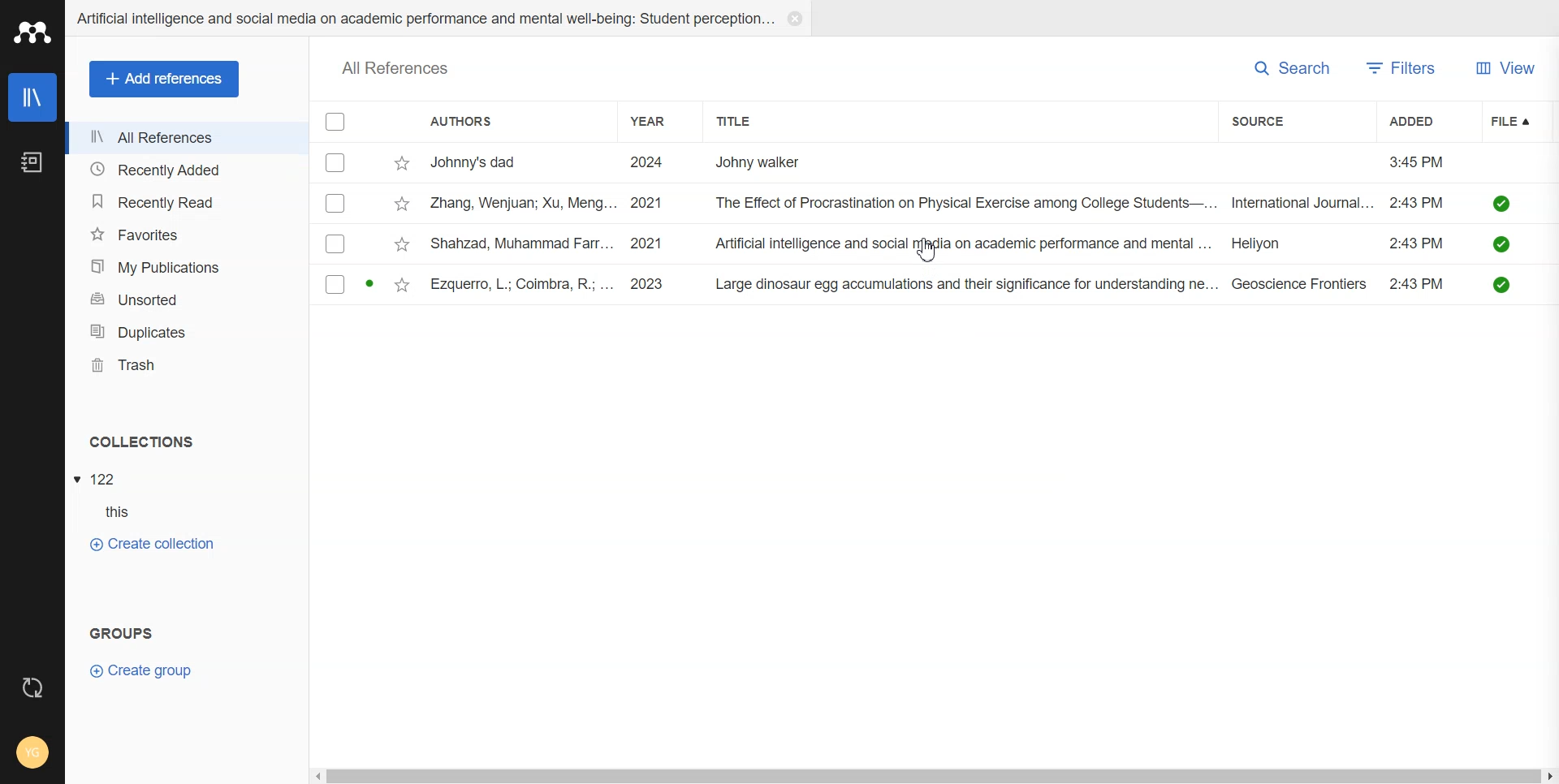 Image resolution: width=1559 pixels, height=784 pixels. Describe the element at coordinates (141, 670) in the screenshot. I see `Crate Group` at that location.